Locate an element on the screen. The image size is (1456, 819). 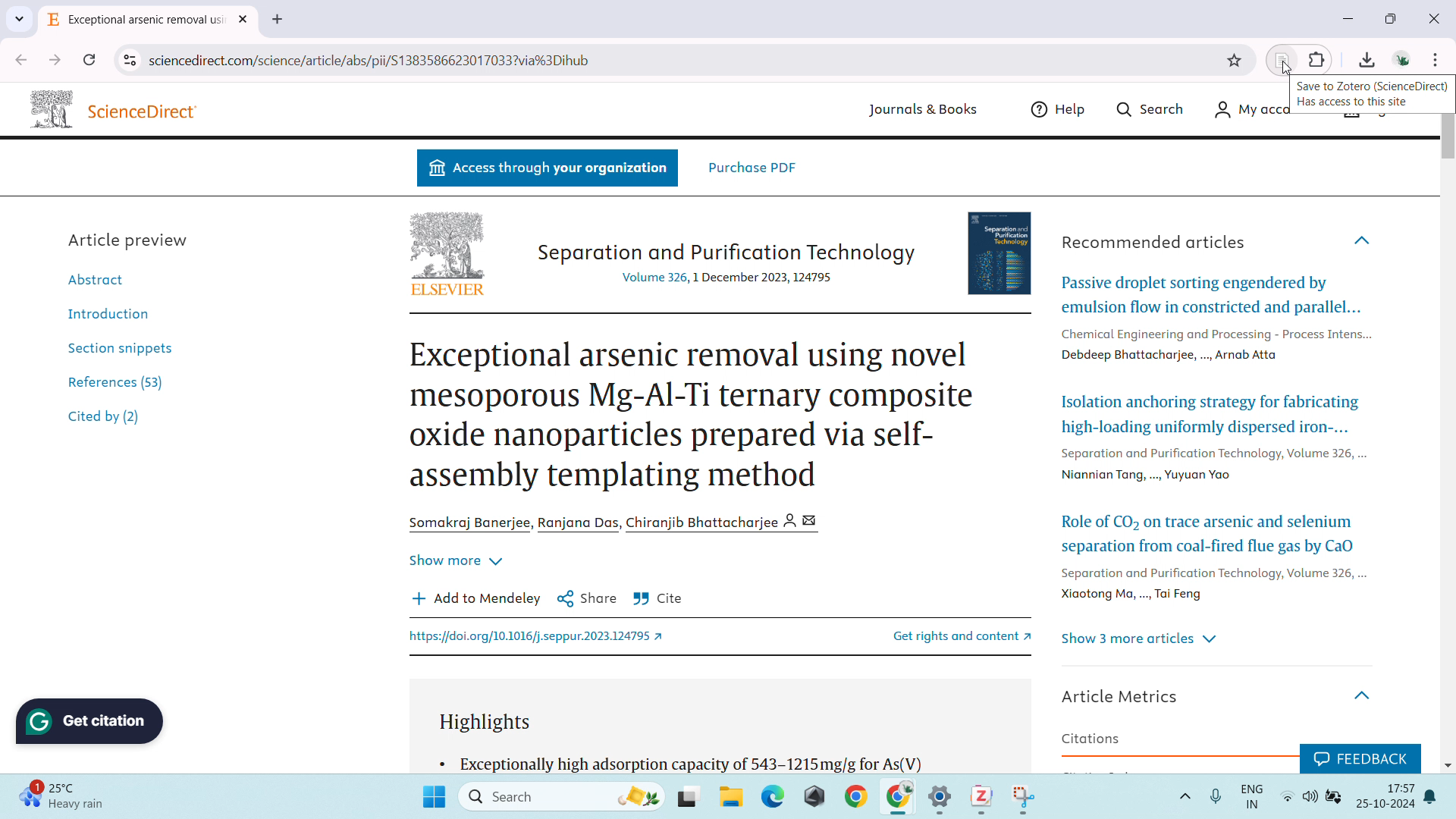
scroll down is located at coordinates (1447, 764).